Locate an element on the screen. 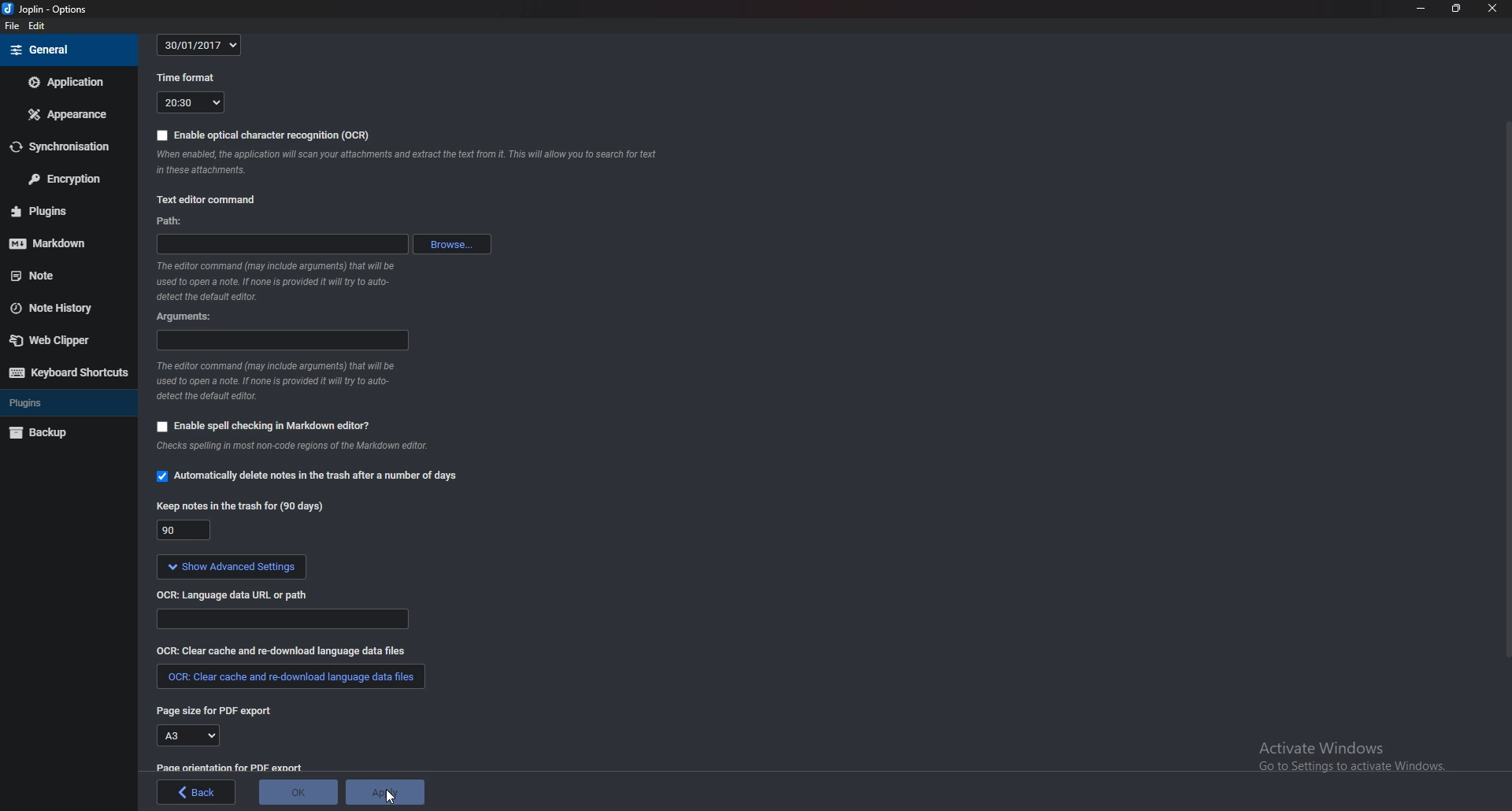 The height and width of the screenshot is (811, 1512). Minimize is located at coordinates (1422, 9).